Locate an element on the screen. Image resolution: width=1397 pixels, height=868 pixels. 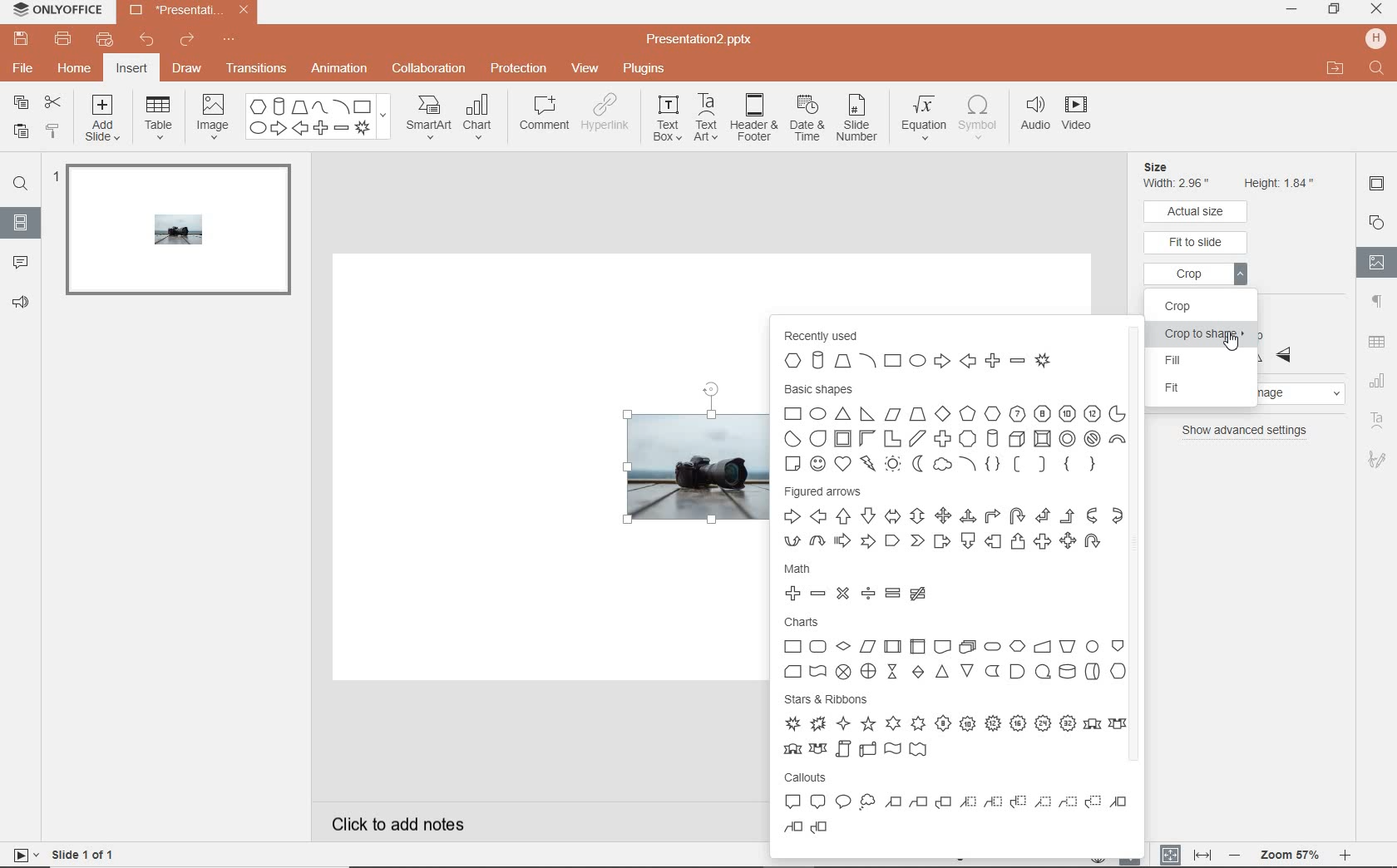
videos is located at coordinates (1076, 116).